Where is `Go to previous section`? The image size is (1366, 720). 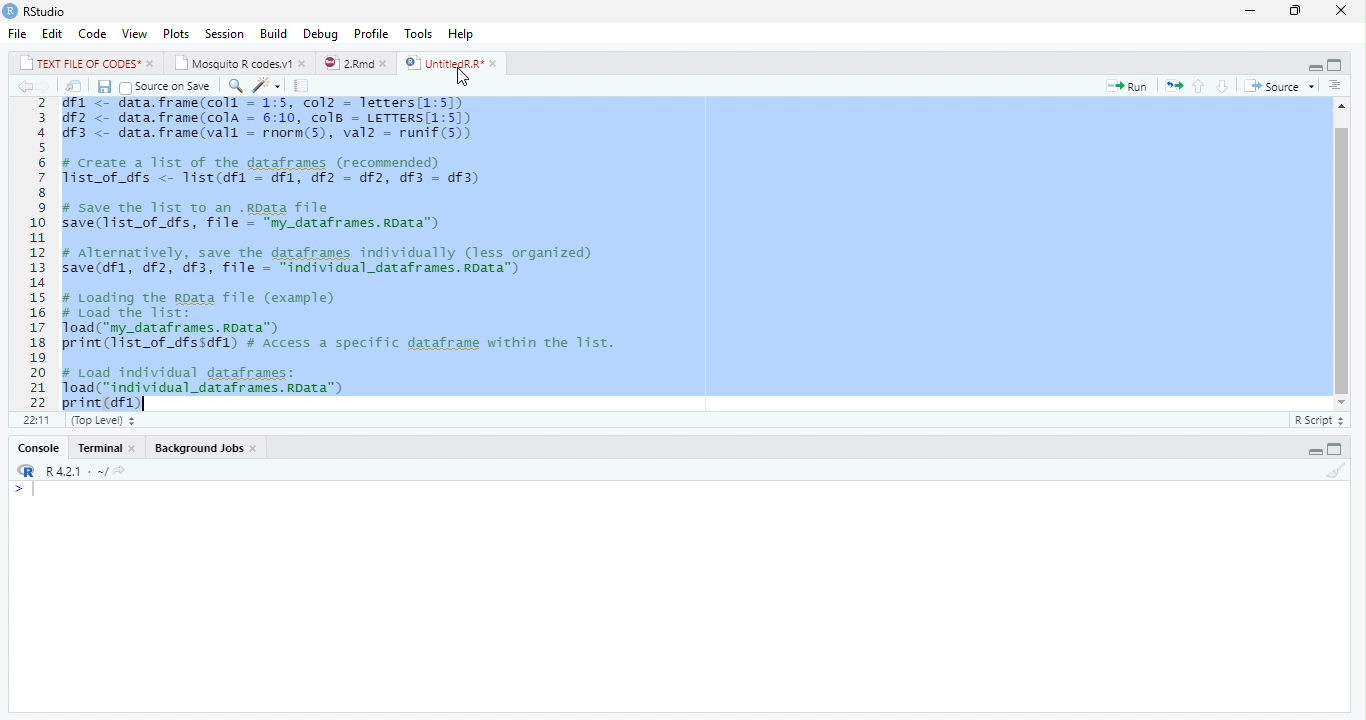 Go to previous section is located at coordinates (1199, 85).